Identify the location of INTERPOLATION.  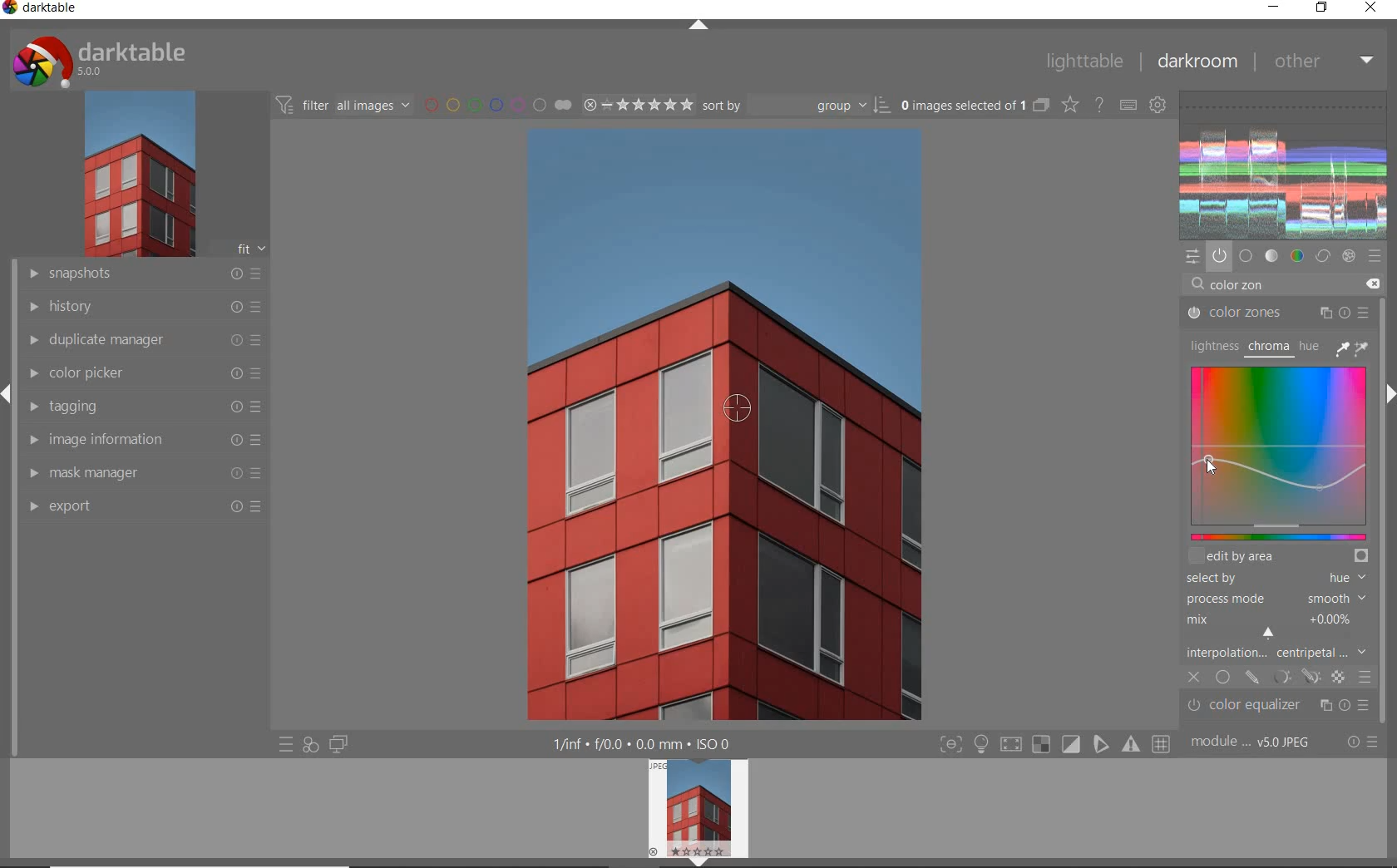
(1276, 652).